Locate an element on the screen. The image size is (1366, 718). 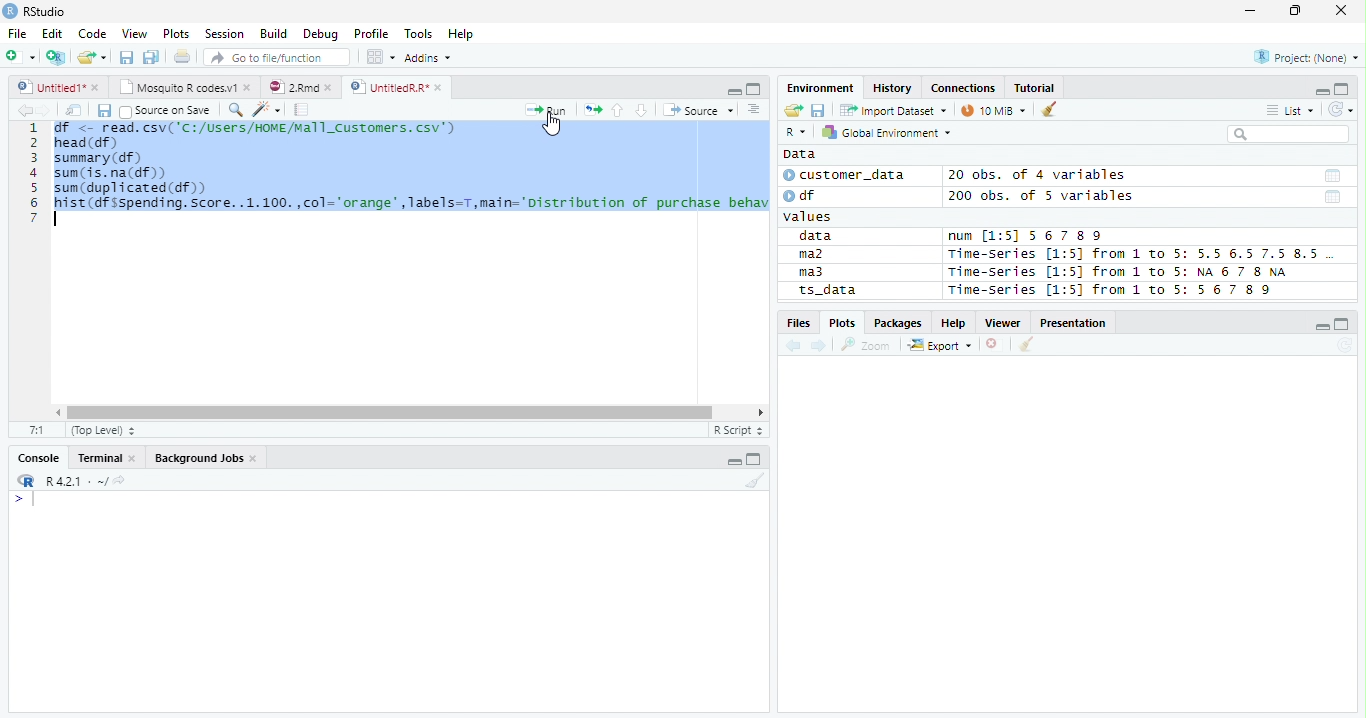
Next is located at coordinates (820, 347).